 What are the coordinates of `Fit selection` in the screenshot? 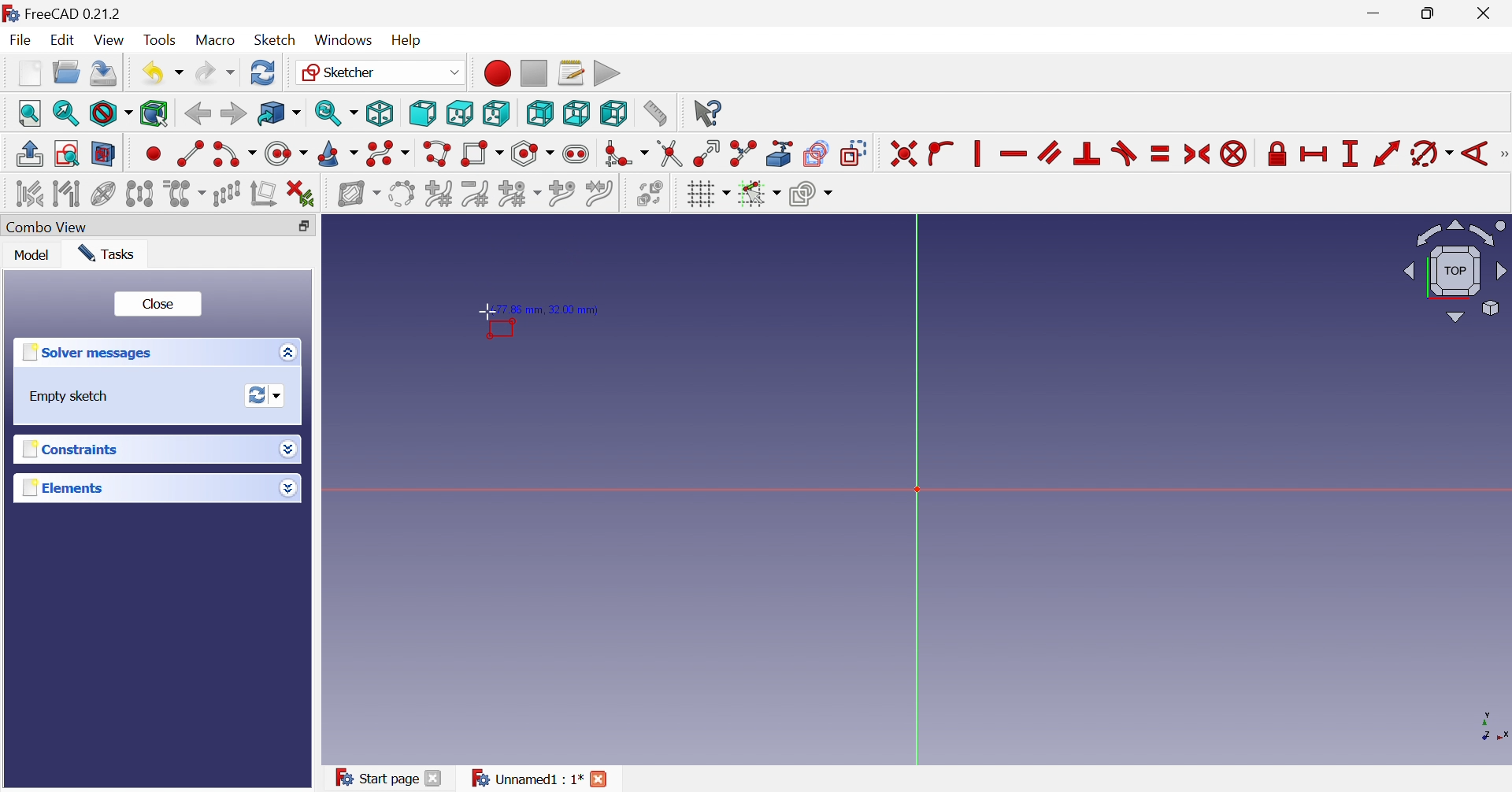 It's located at (64, 113).